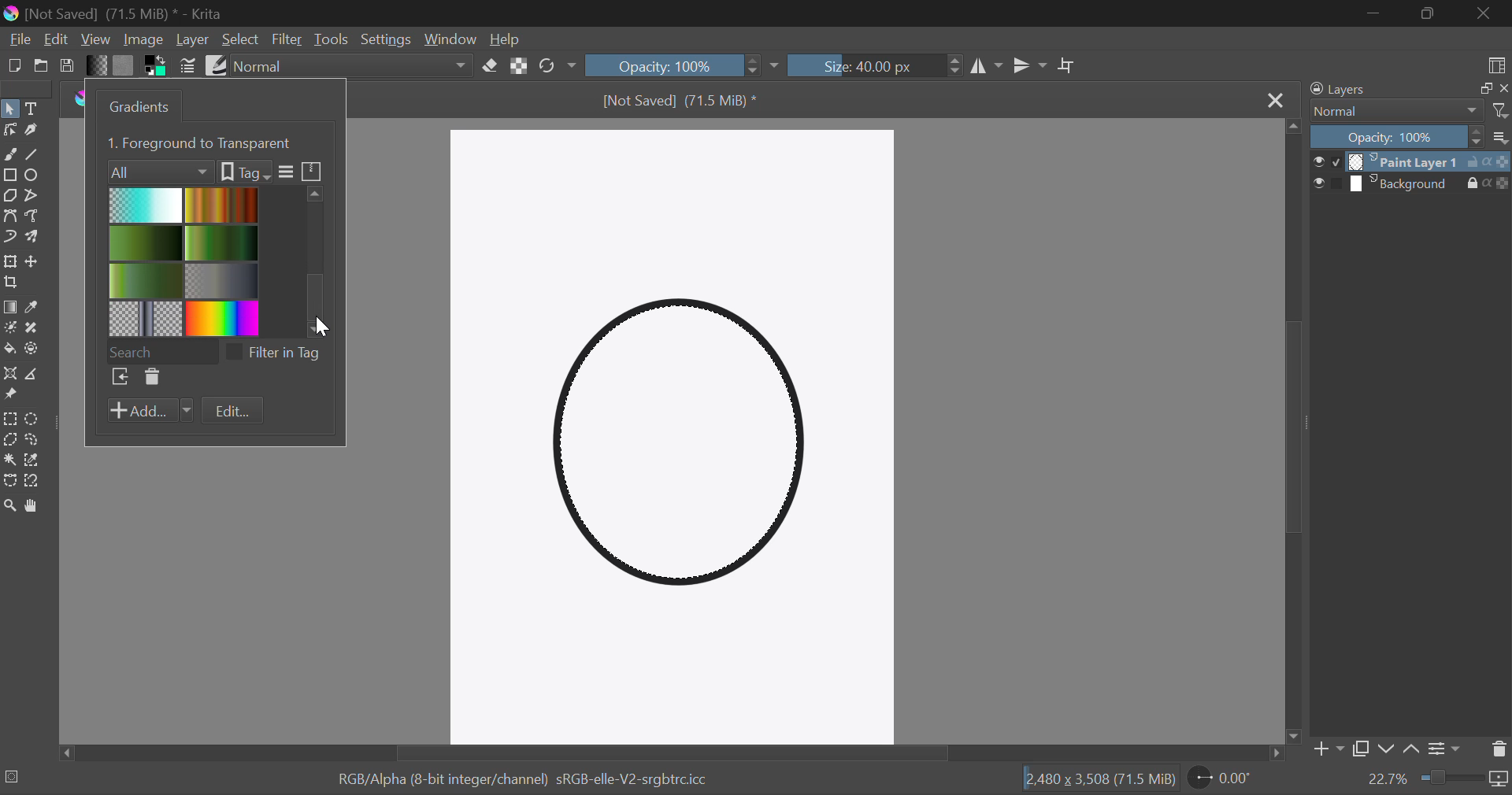  What do you see at coordinates (1032, 68) in the screenshot?
I see `Horizontal Mirror Flip` at bounding box center [1032, 68].